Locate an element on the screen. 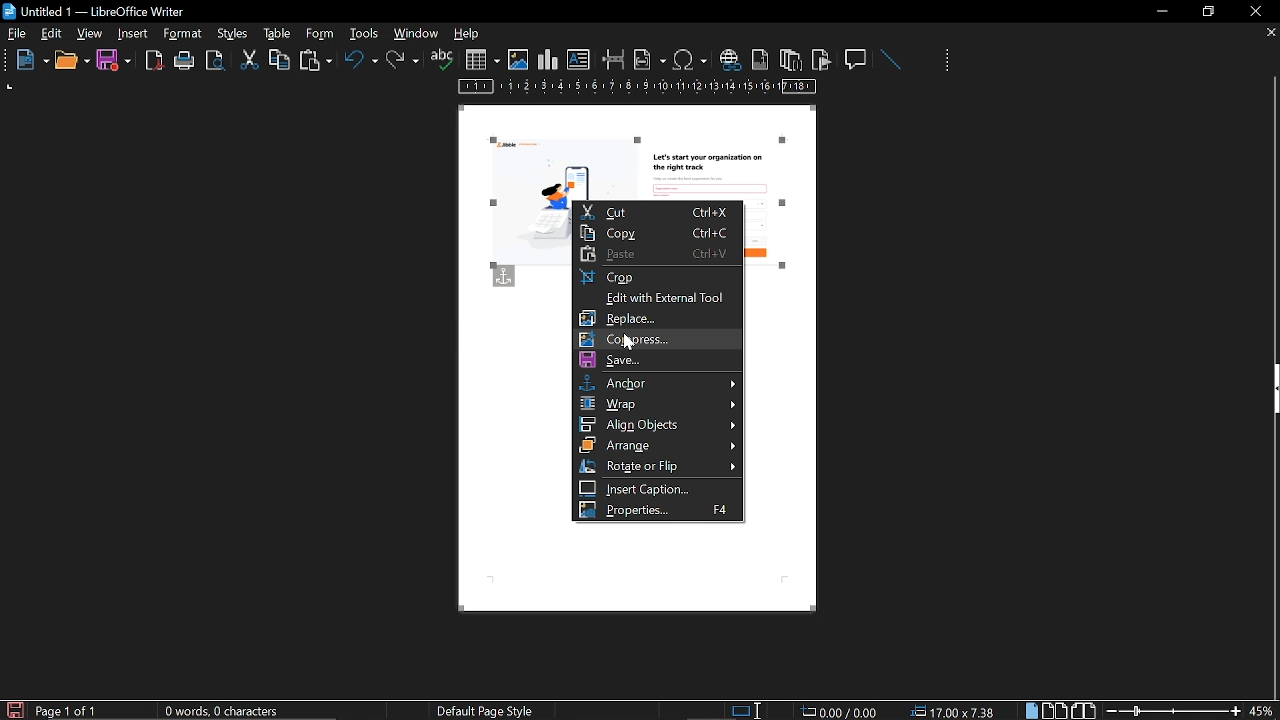 The width and height of the screenshot is (1280, 720). toggle print preview is located at coordinates (218, 61).